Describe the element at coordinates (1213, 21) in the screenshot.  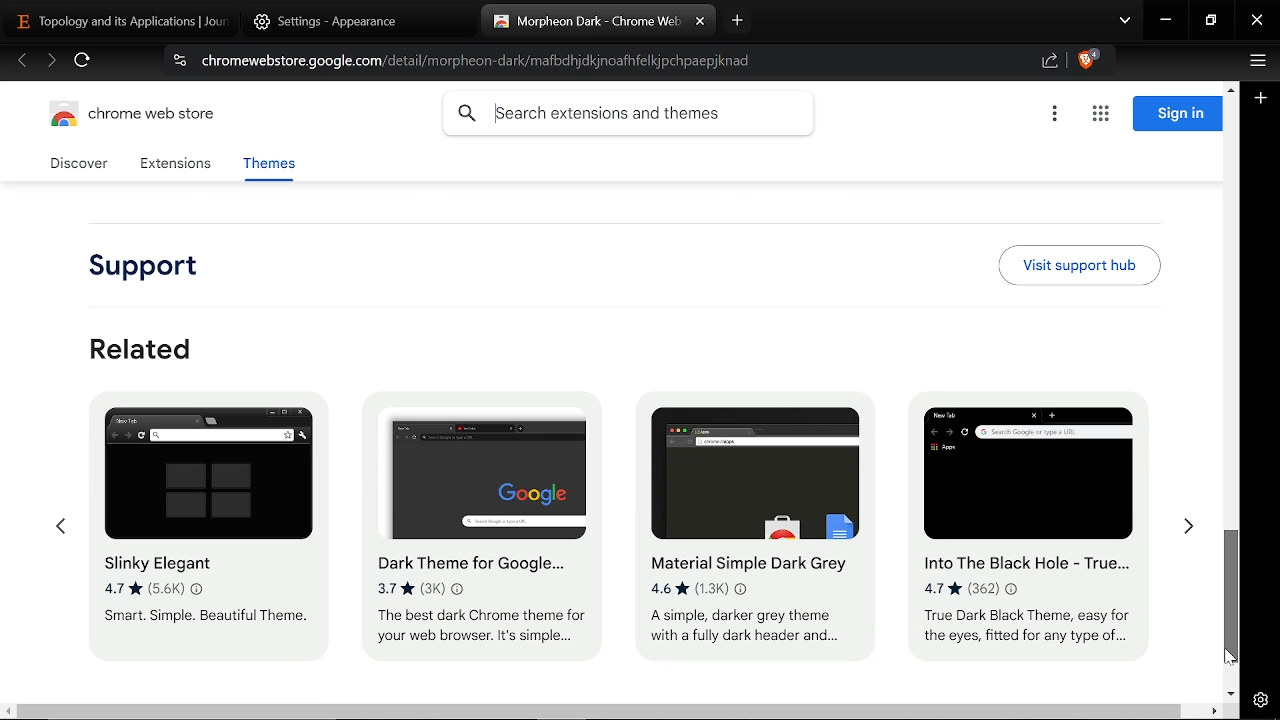
I see `REstore down` at that location.